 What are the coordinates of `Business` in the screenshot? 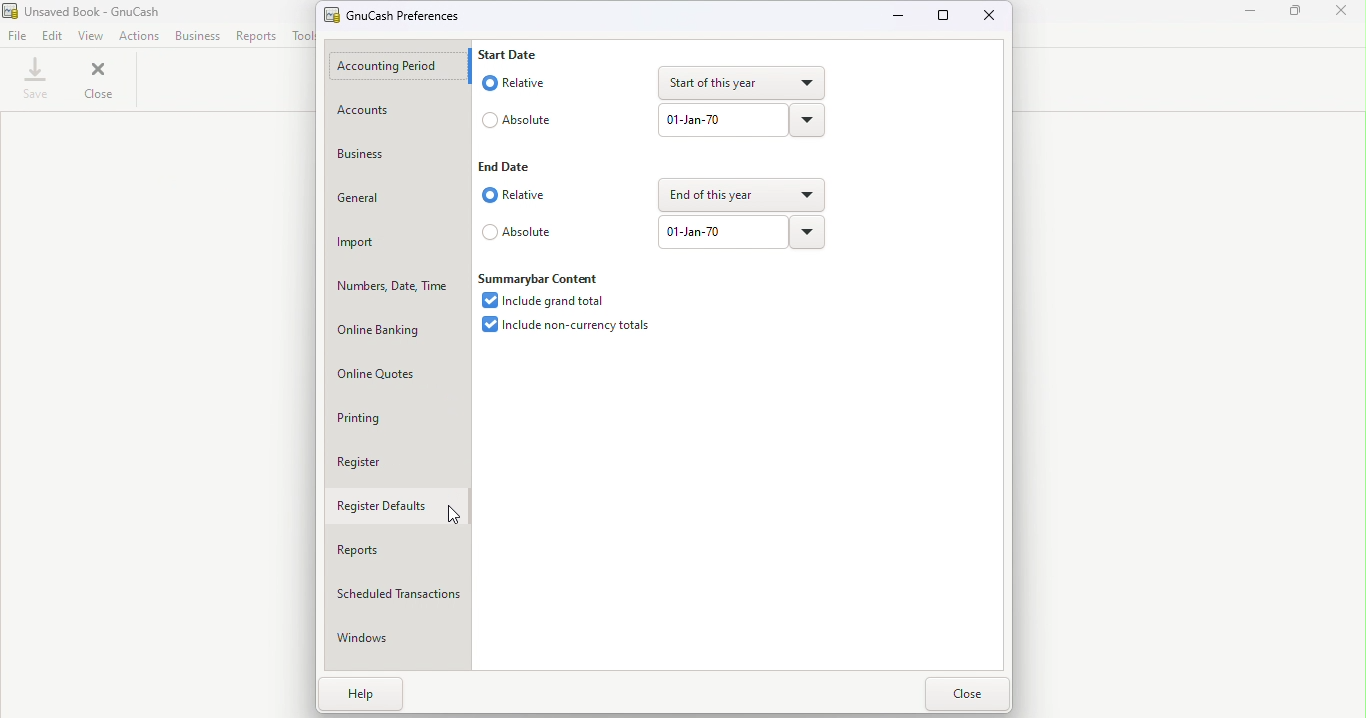 It's located at (396, 155).